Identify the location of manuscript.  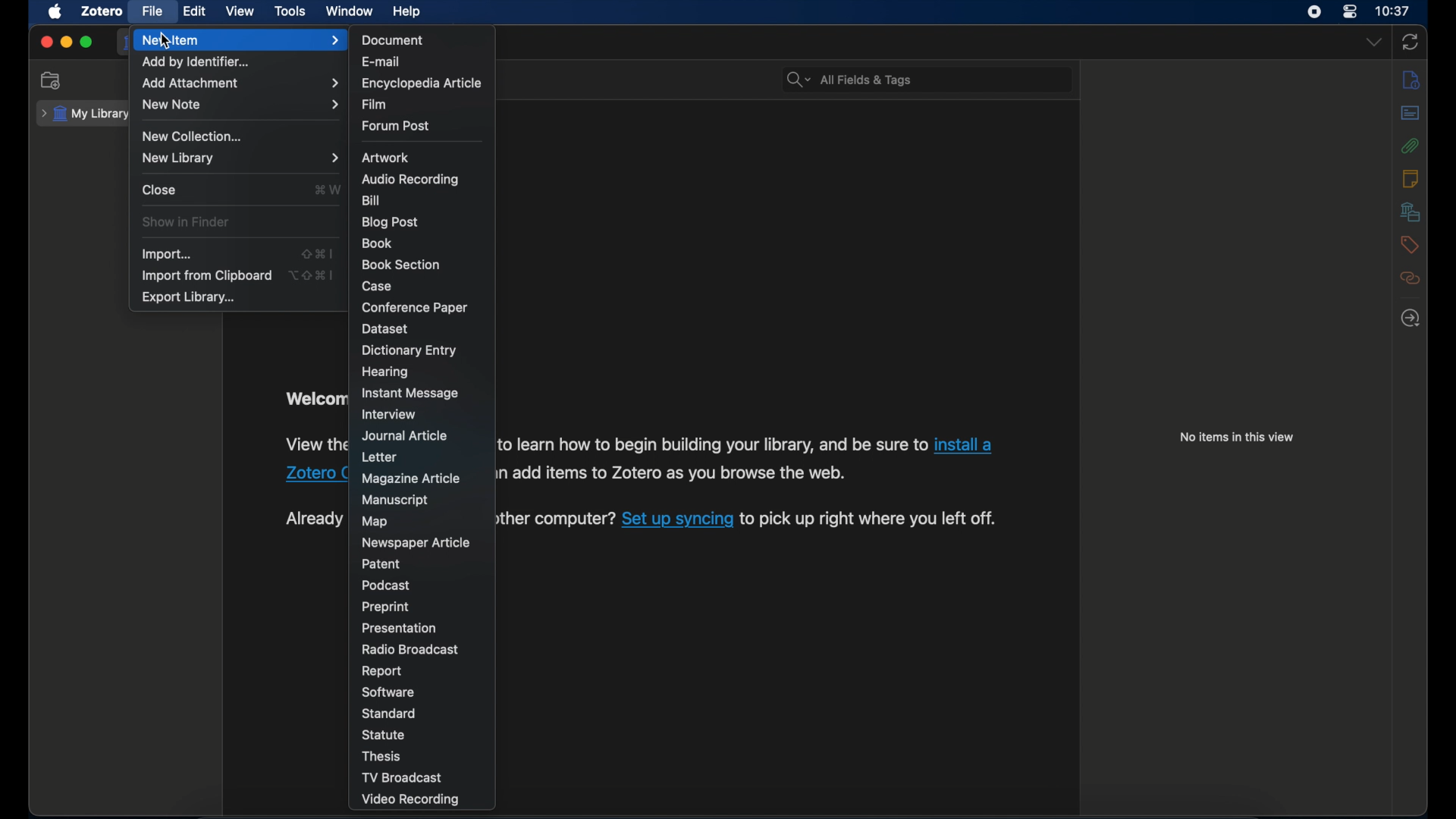
(396, 500).